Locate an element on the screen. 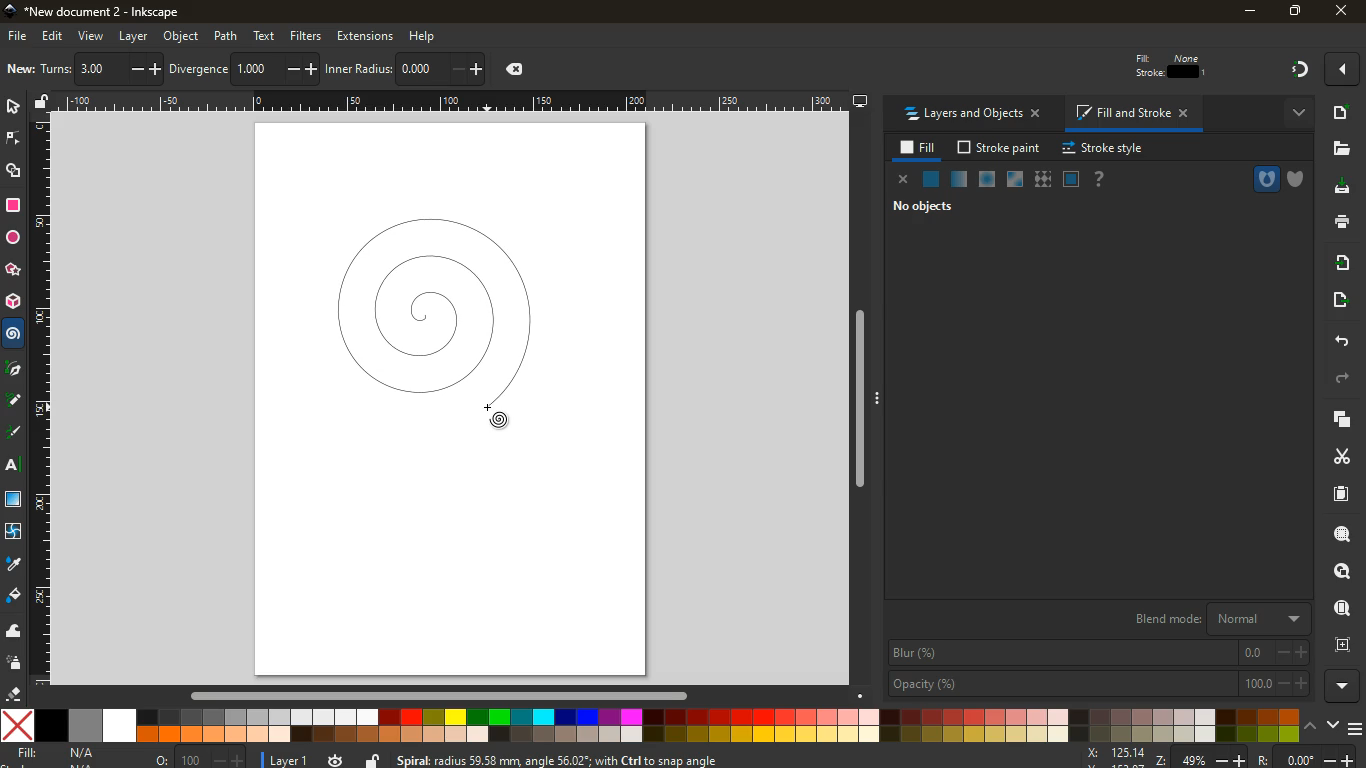 This screenshot has height=768, width=1366. up is located at coordinates (1313, 725).